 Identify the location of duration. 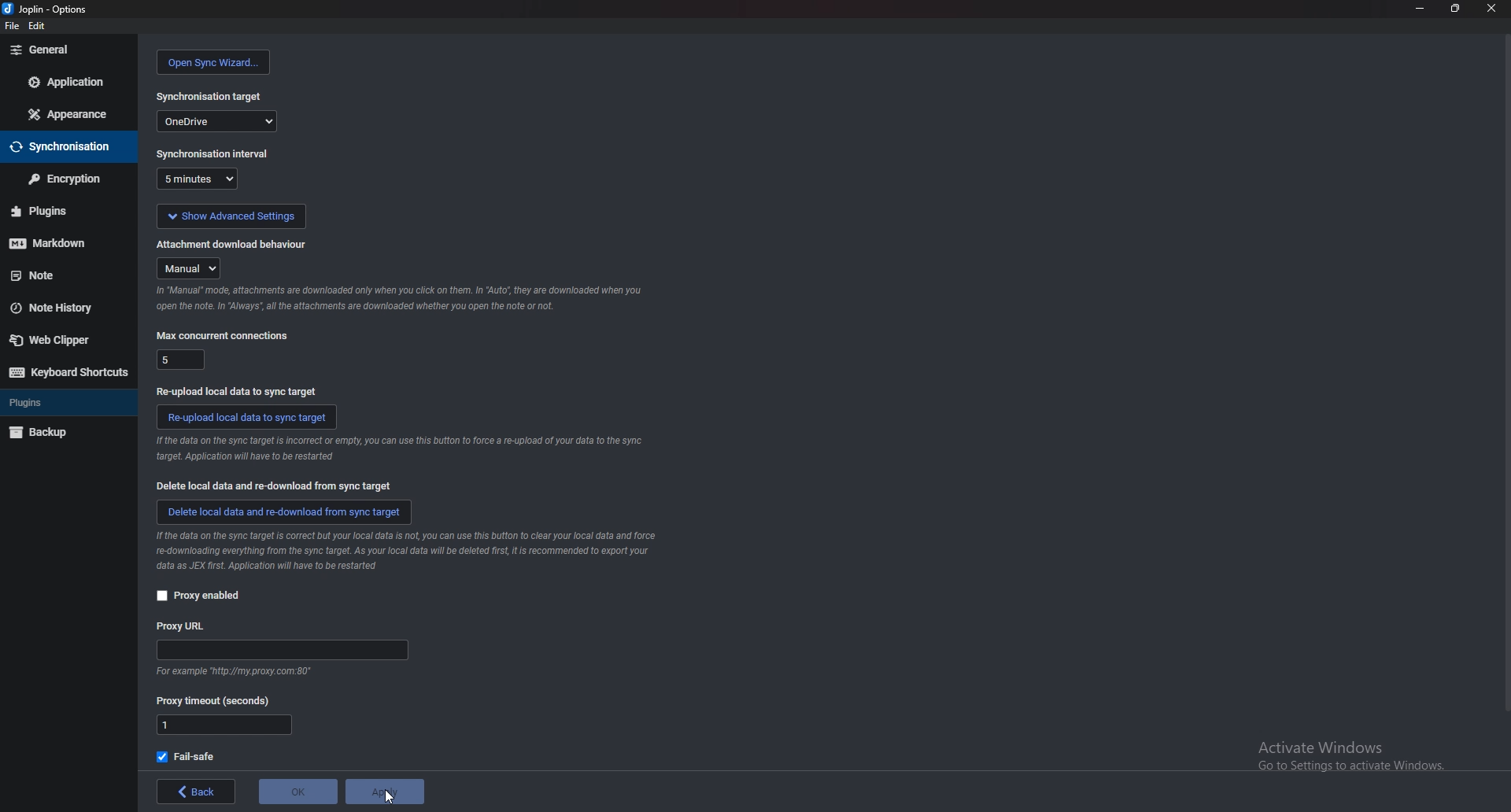
(197, 179).